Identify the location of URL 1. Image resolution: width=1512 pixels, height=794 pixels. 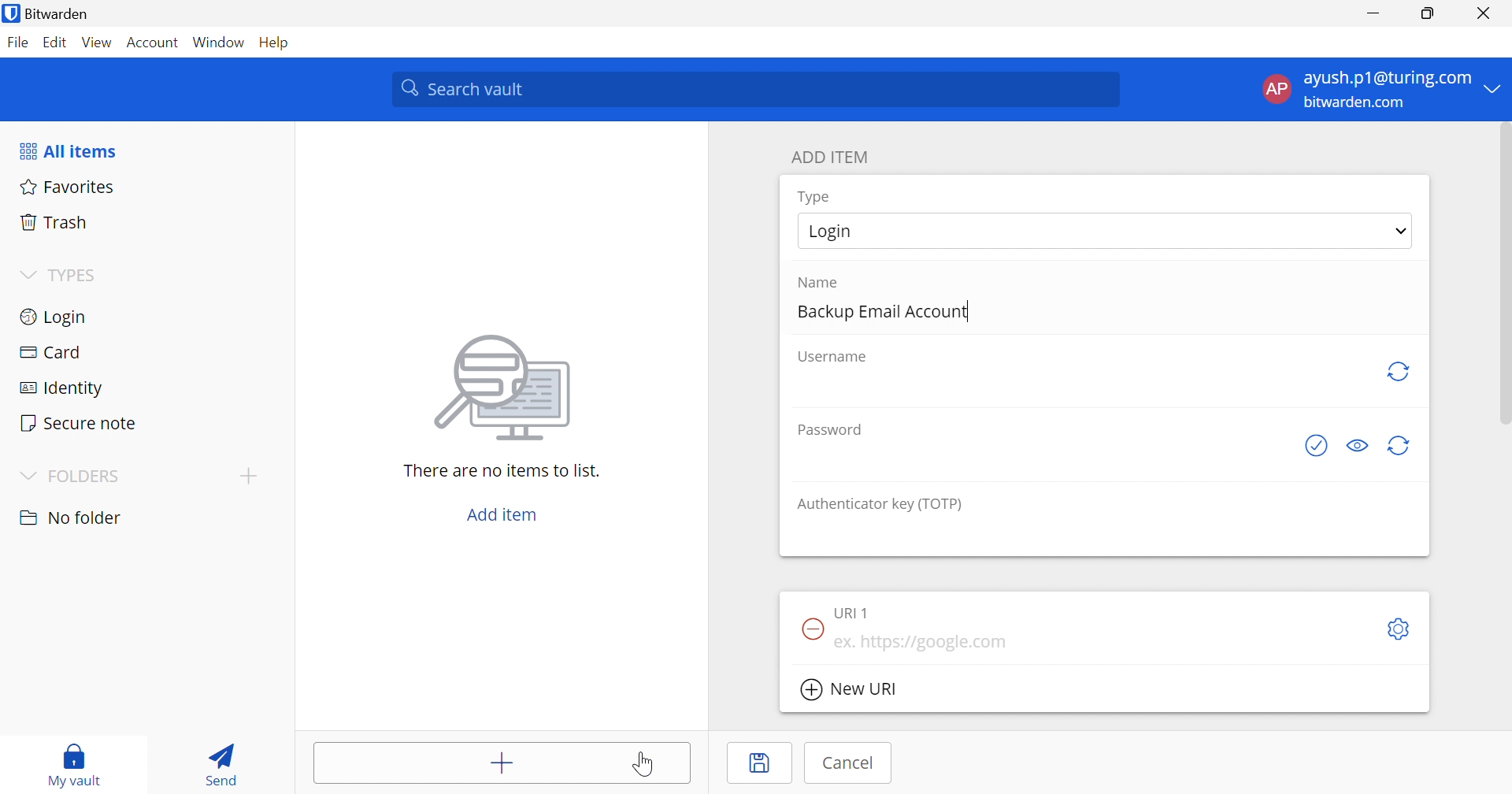
(853, 613).